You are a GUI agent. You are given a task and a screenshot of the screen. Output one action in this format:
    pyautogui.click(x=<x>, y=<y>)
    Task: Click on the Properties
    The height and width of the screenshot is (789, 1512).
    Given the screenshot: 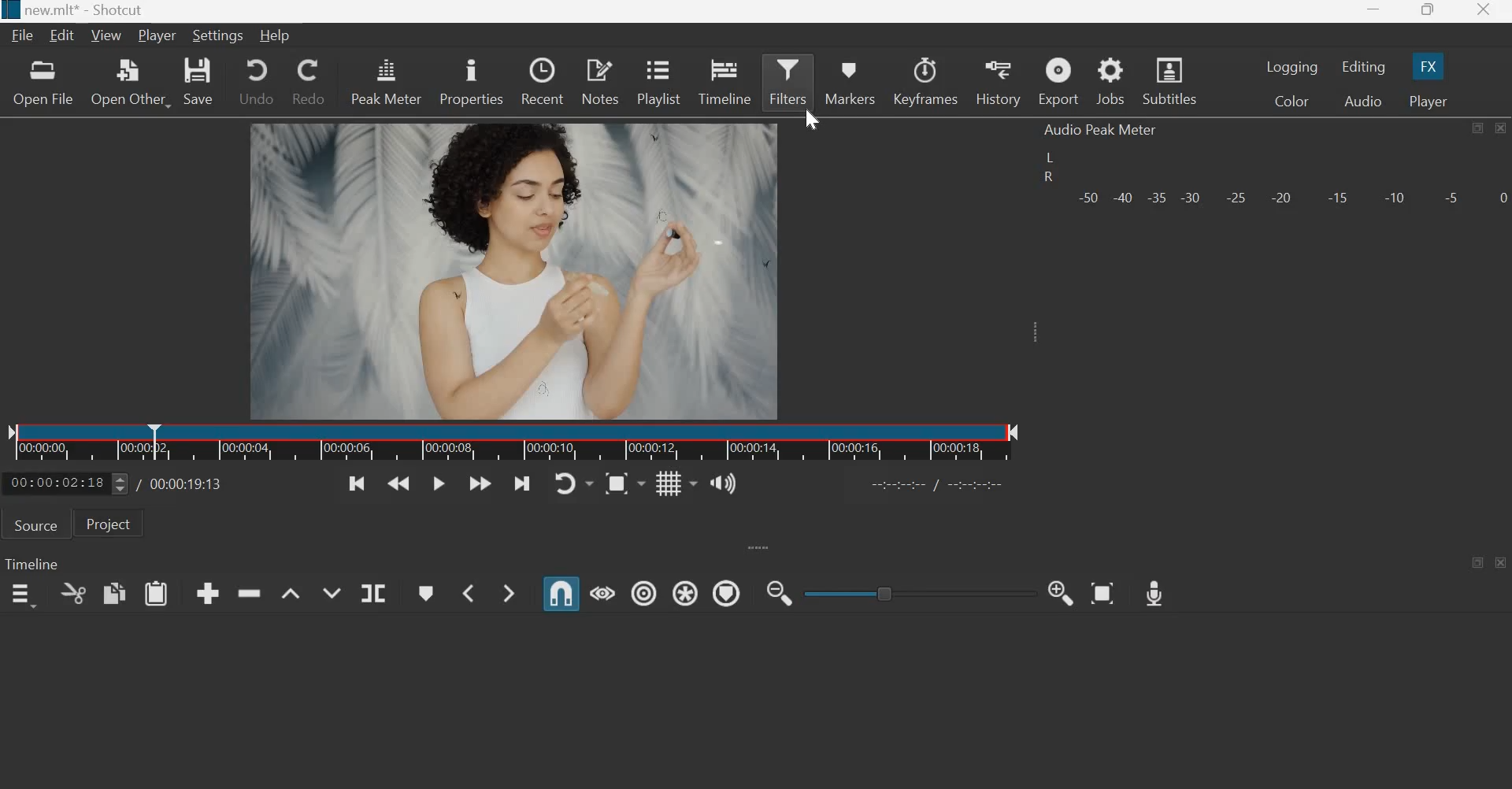 What is the action you would take?
    pyautogui.click(x=471, y=80)
    